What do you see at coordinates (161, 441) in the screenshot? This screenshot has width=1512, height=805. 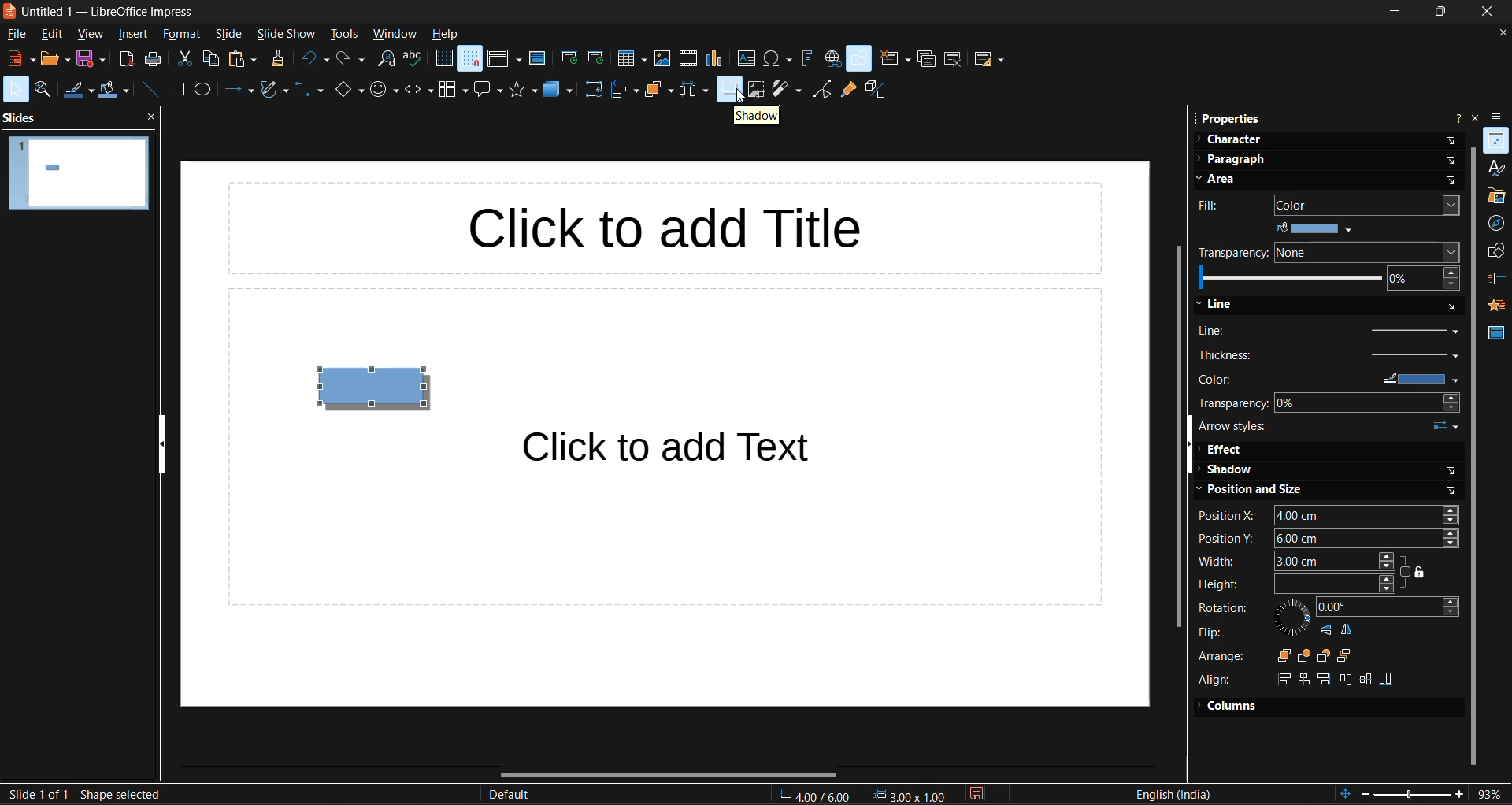 I see `hide` at bounding box center [161, 441].